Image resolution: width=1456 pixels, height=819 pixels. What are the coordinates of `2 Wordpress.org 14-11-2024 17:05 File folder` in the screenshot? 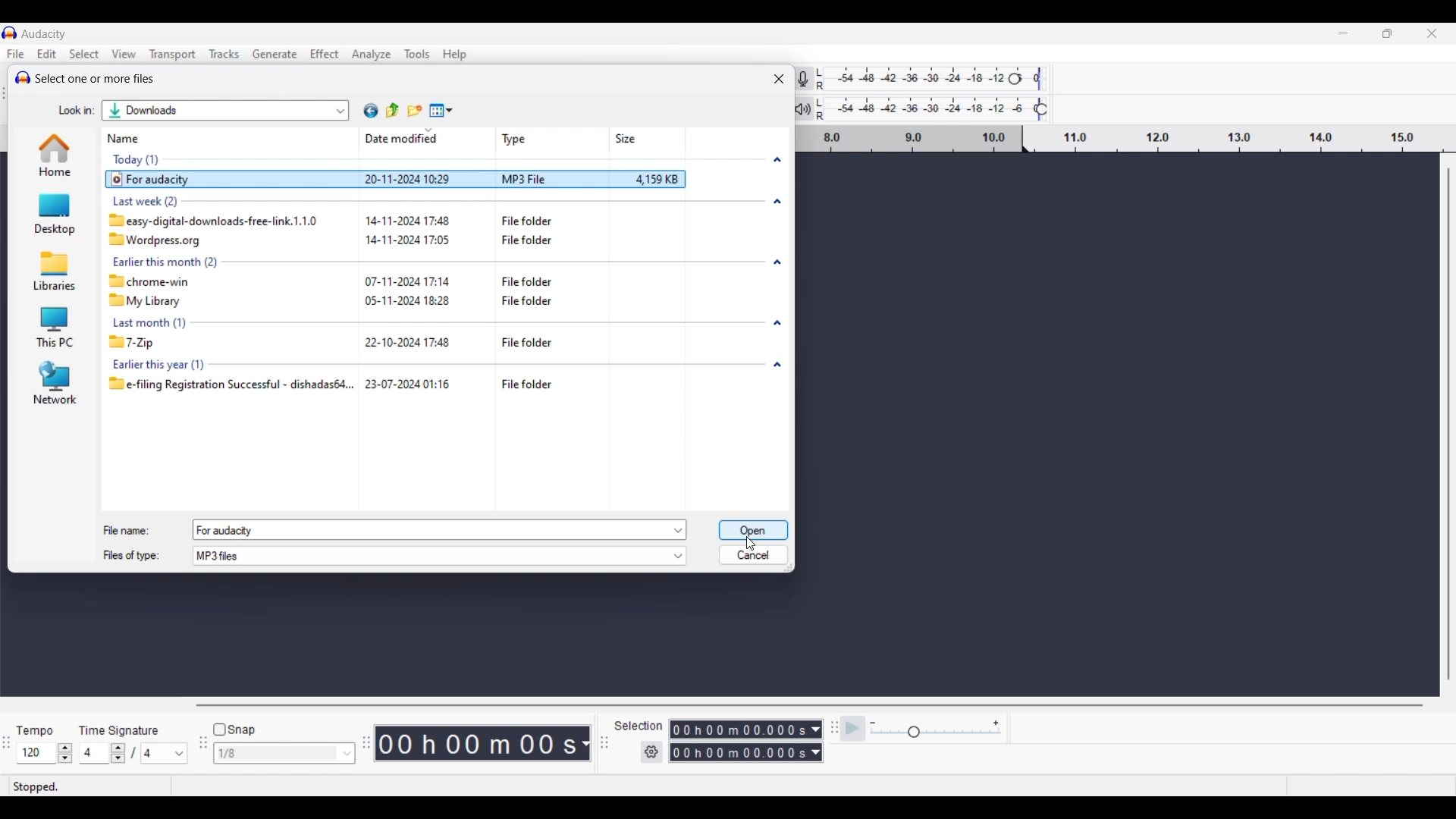 It's located at (343, 241).